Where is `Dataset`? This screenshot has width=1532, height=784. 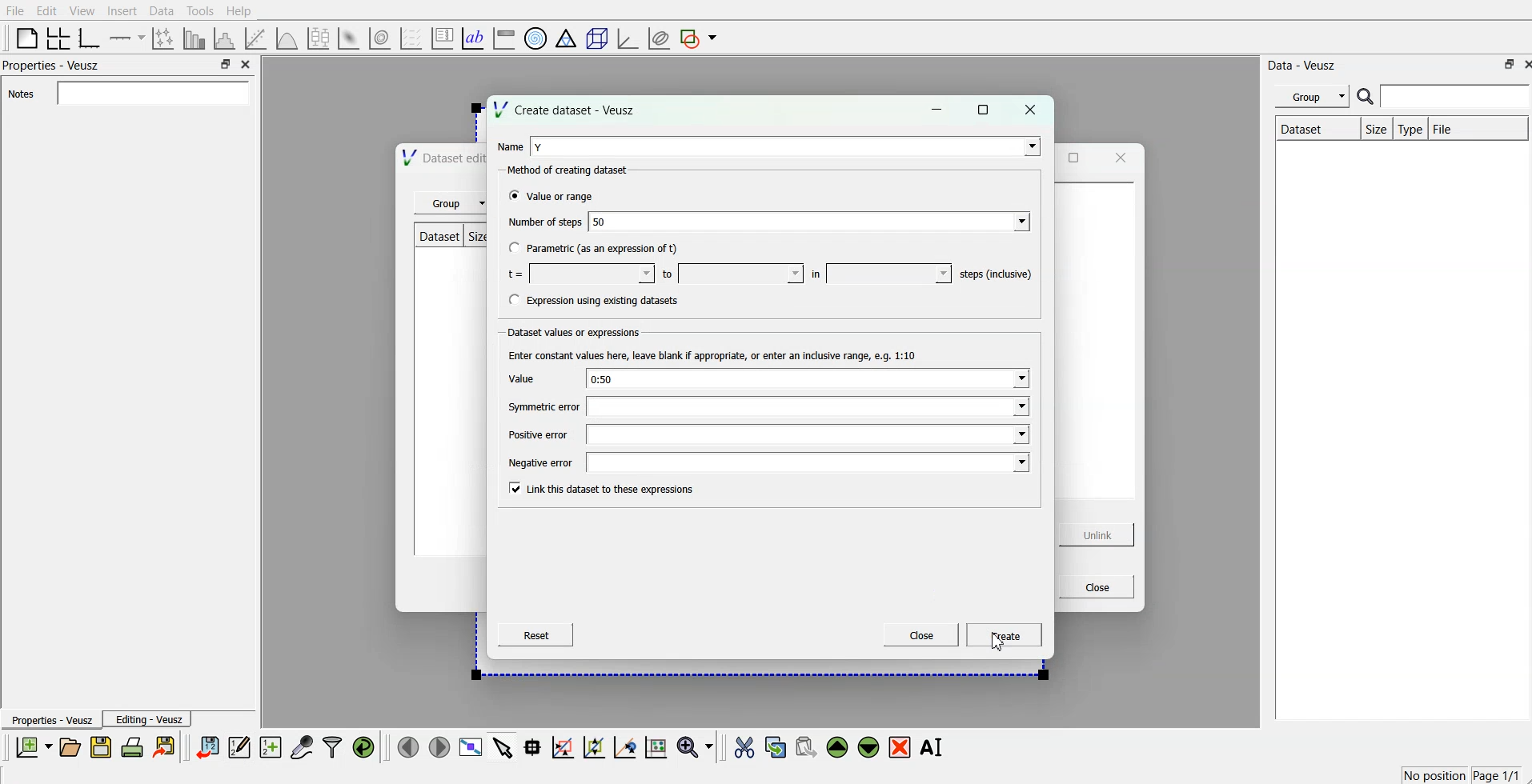 Dataset is located at coordinates (437, 236).